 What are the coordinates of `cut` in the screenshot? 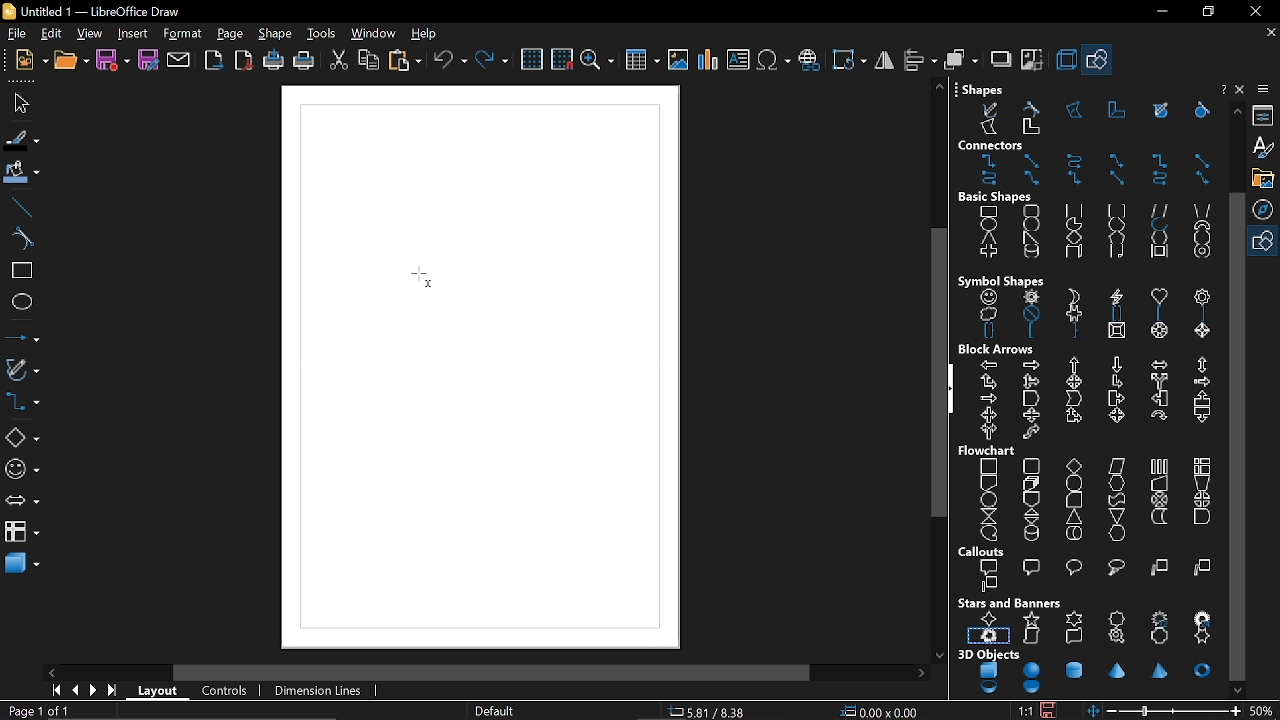 It's located at (340, 60).